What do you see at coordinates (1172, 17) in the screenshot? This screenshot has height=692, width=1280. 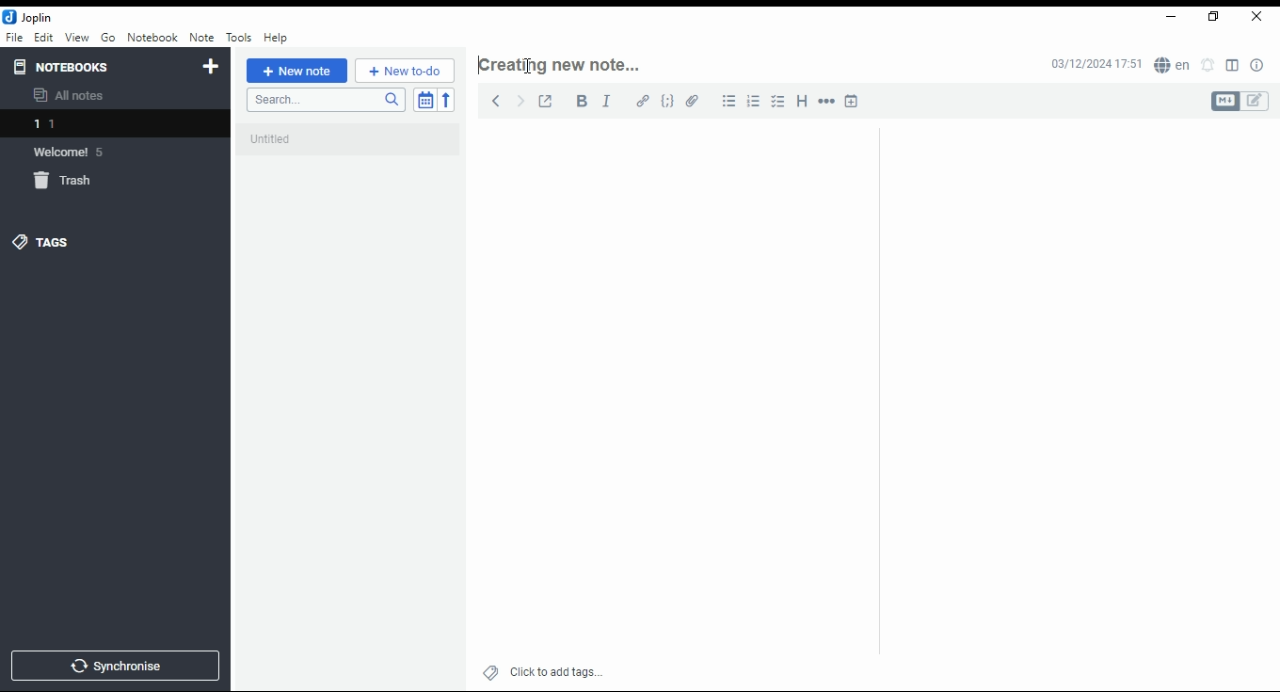 I see `minimize` at bounding box center [1172, 17].